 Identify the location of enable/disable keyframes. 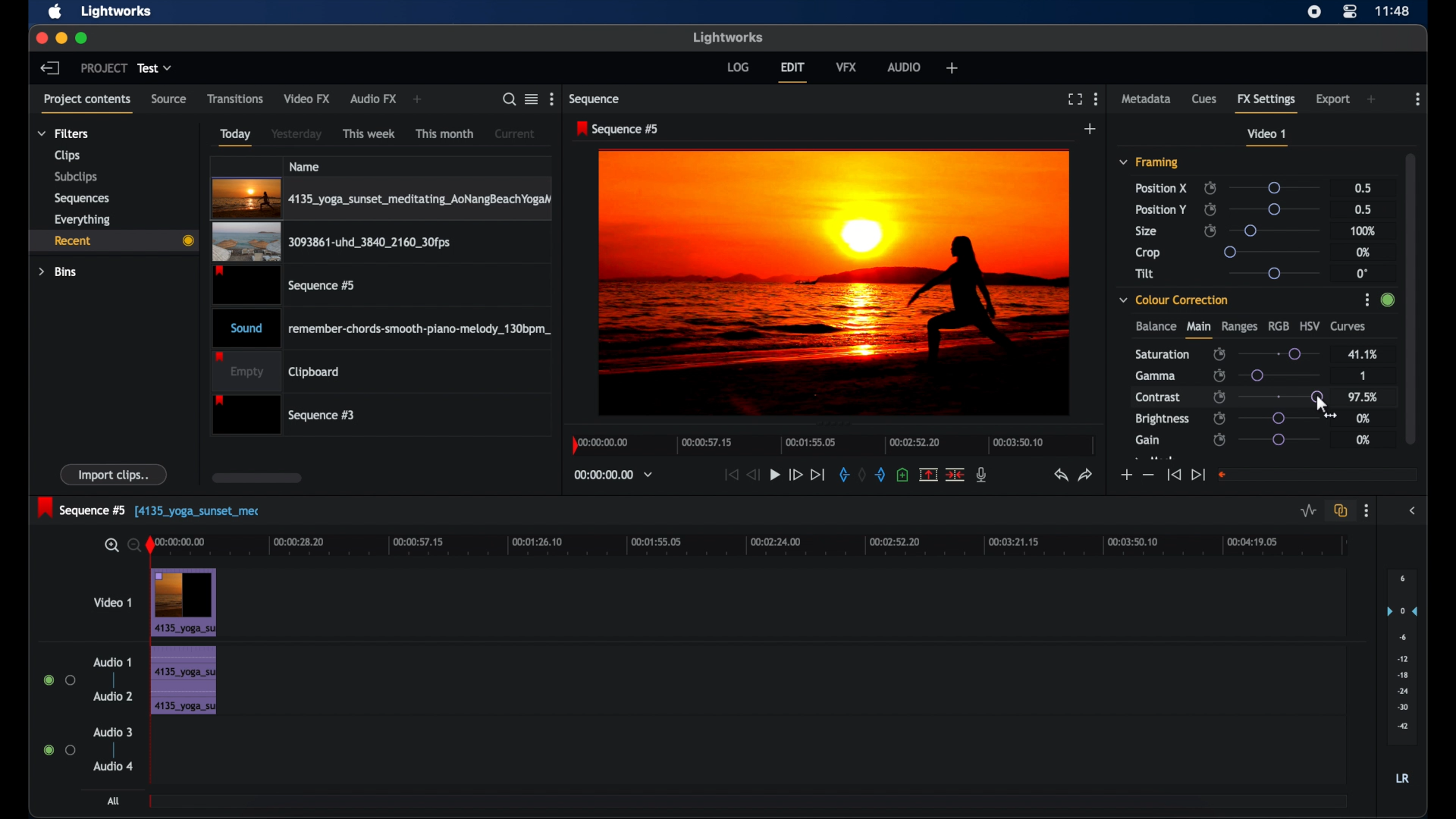
(1220, 397).